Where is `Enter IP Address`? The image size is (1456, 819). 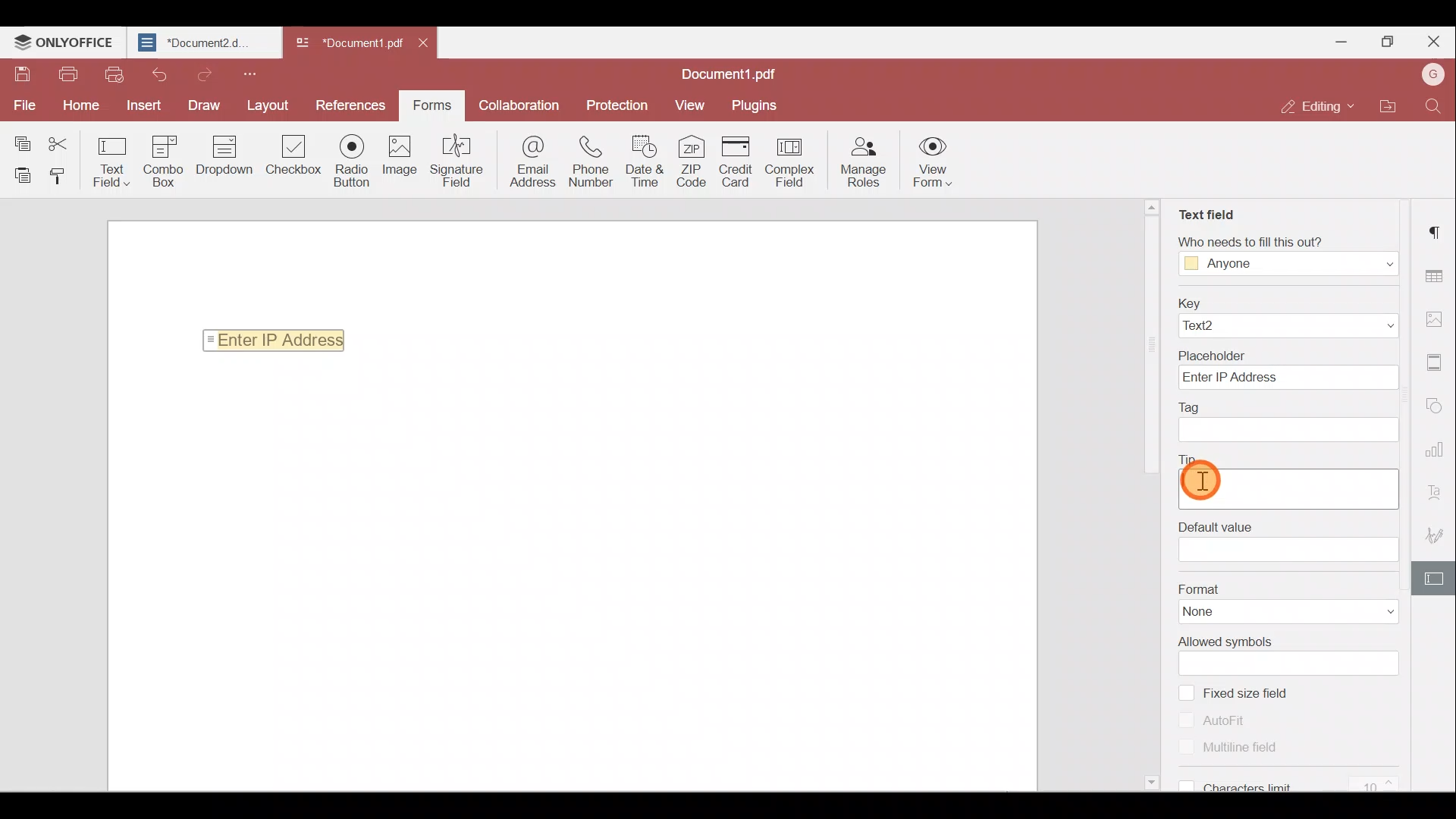
Enter IP Address is located at coordinates (270, 340).